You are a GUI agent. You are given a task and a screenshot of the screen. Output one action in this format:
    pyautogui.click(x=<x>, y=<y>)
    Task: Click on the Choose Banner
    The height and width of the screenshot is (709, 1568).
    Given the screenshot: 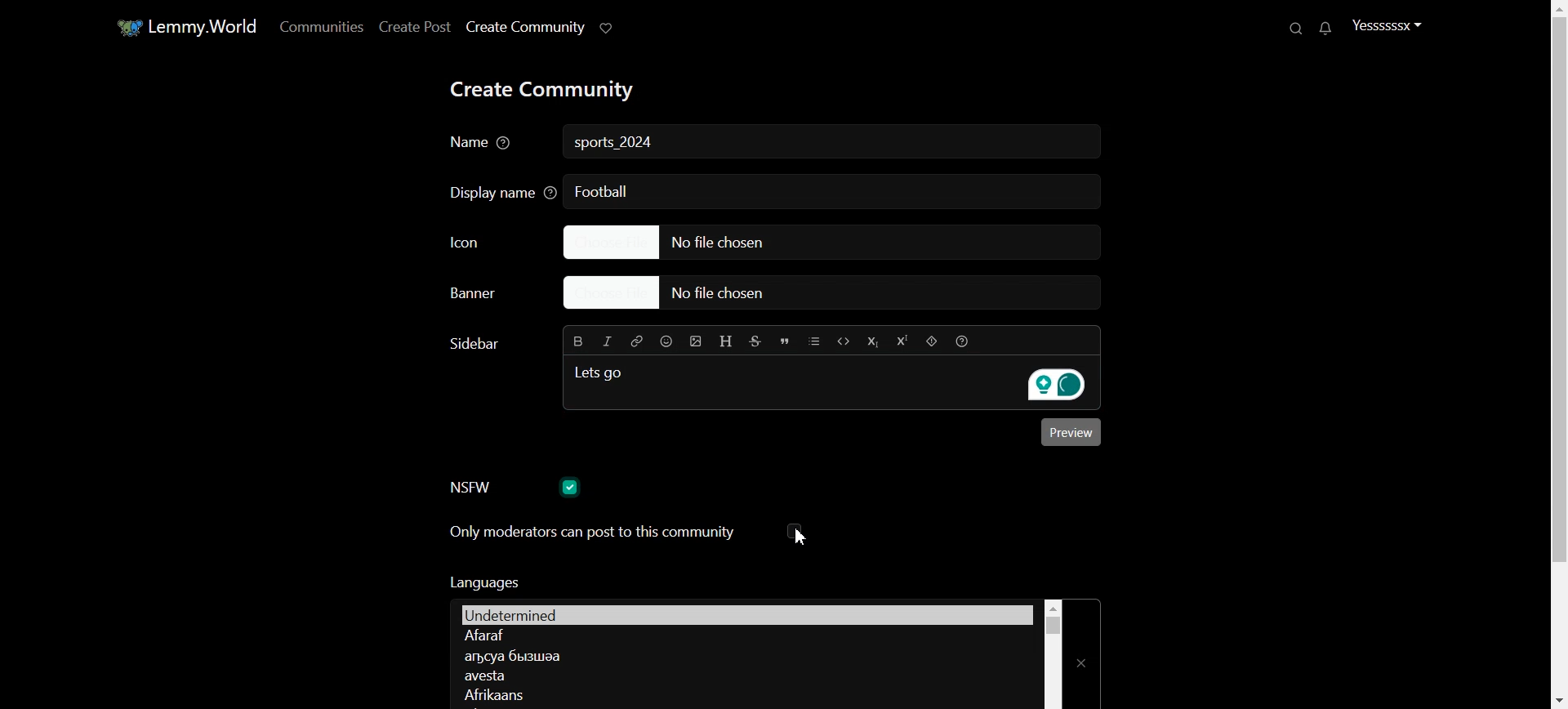 What is the action you would take?
    pyautogui.click(x=488, y=294)
    